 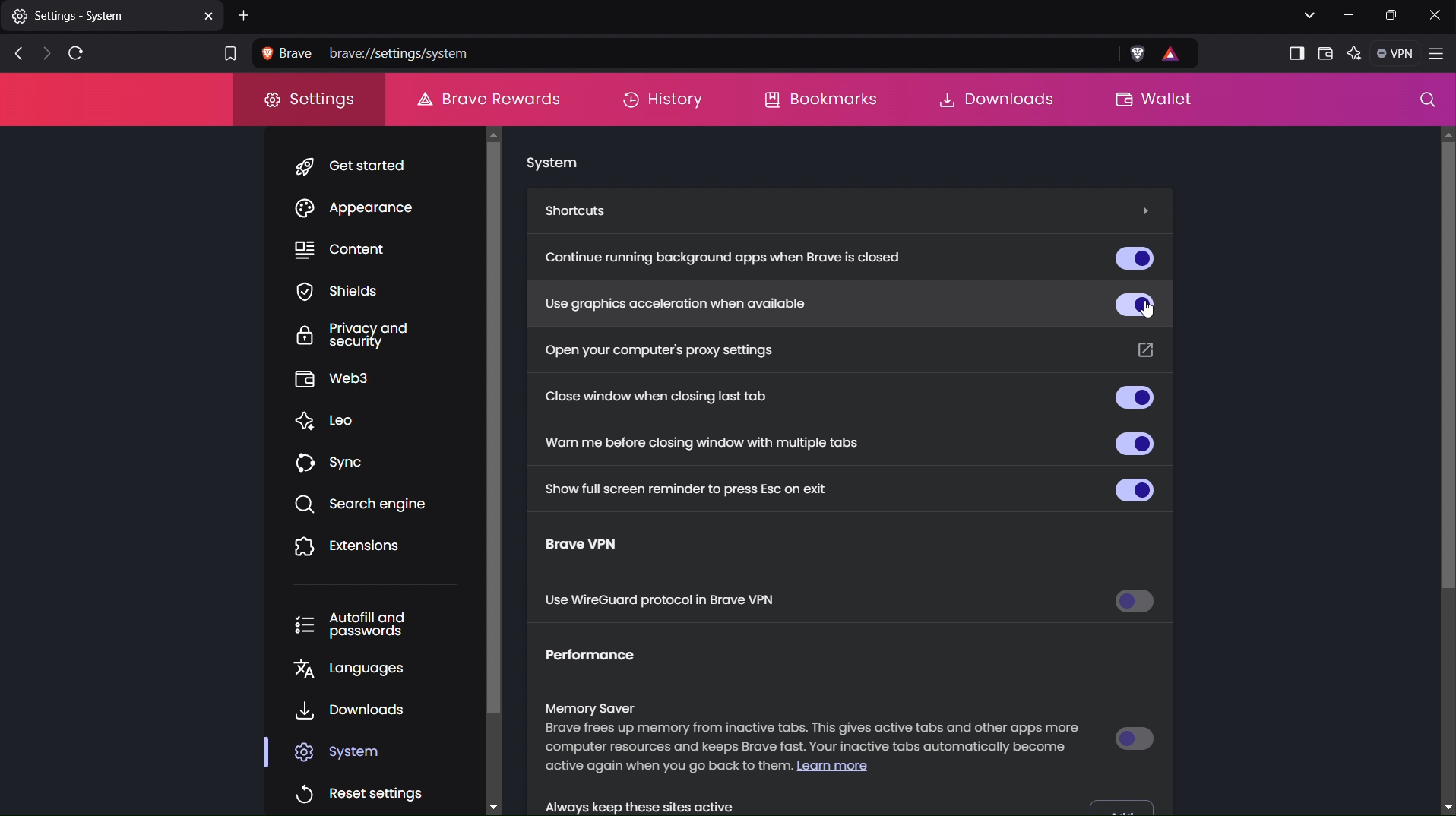 What do you see at coordinates (1345, 15) in the screenshot?
I see `Minimize` at bounding box center [1345, 15].